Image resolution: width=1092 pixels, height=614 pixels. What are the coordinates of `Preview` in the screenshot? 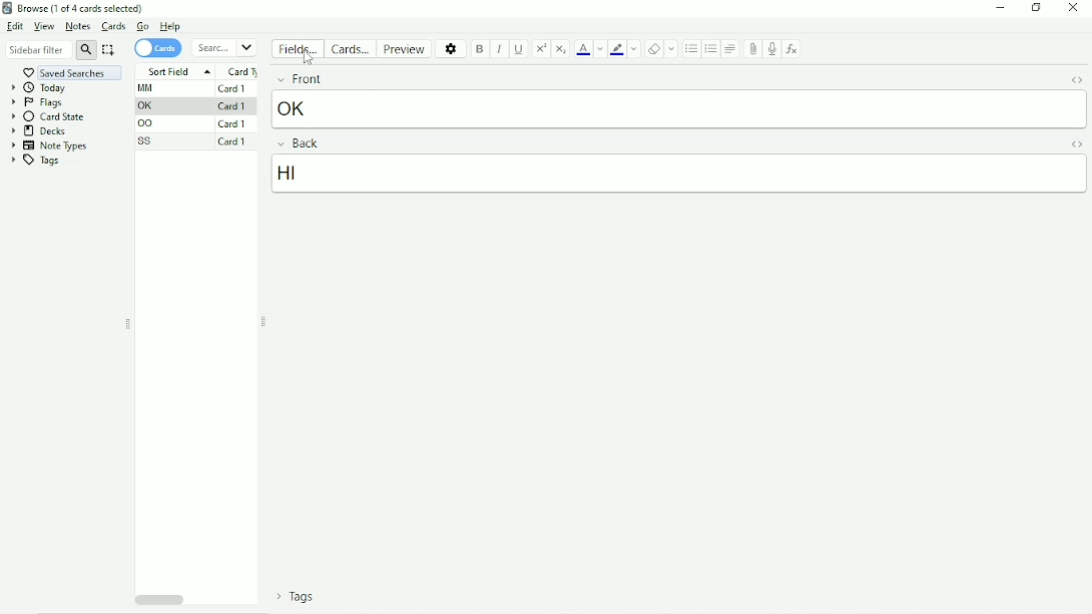 It's located at (406, 48).